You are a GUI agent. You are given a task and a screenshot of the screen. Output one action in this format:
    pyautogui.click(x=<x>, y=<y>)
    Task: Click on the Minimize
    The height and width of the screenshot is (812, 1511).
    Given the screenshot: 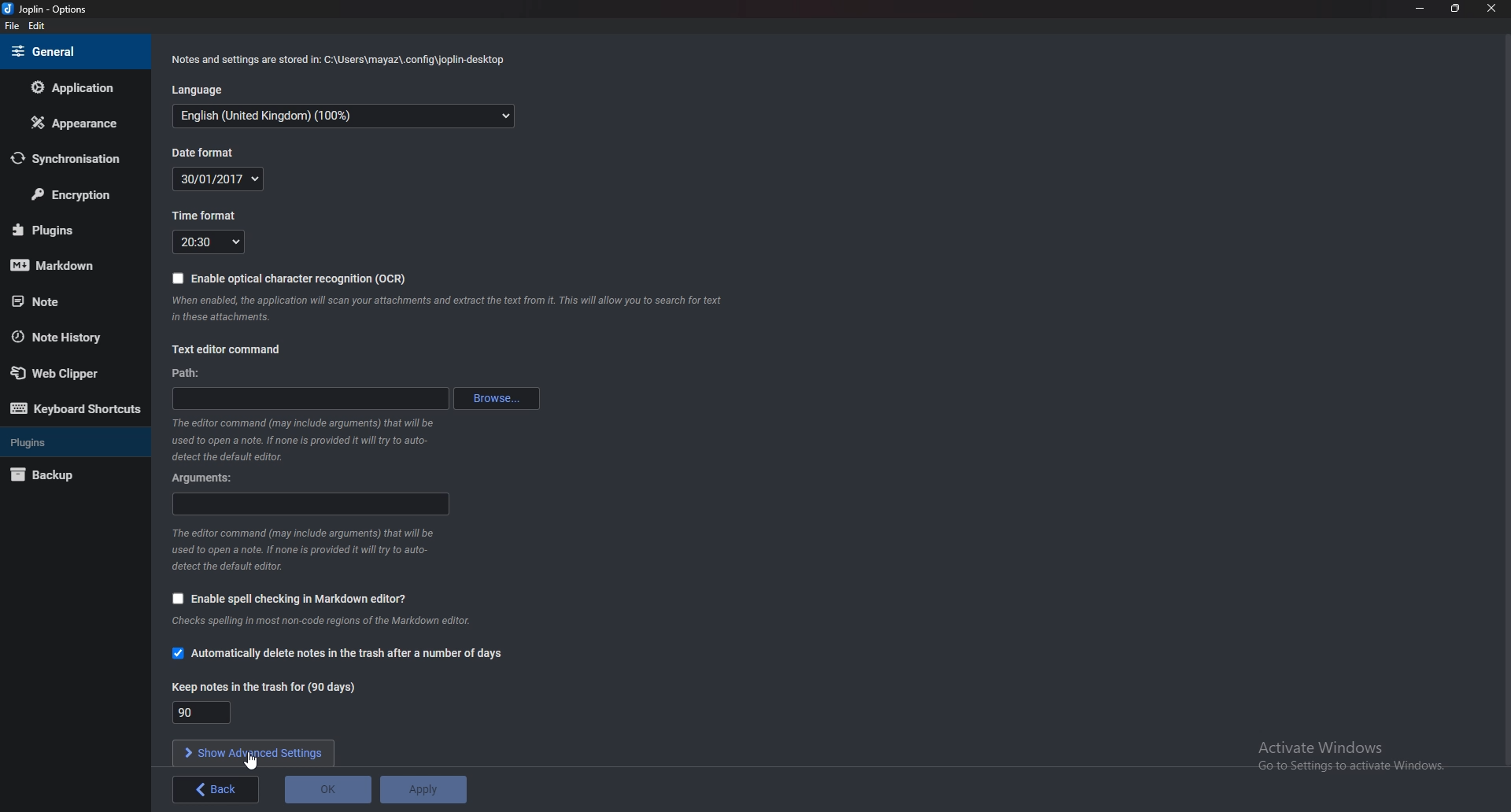 What is the action you would take?
    pyautogui.click(x=1422, y=8)
    